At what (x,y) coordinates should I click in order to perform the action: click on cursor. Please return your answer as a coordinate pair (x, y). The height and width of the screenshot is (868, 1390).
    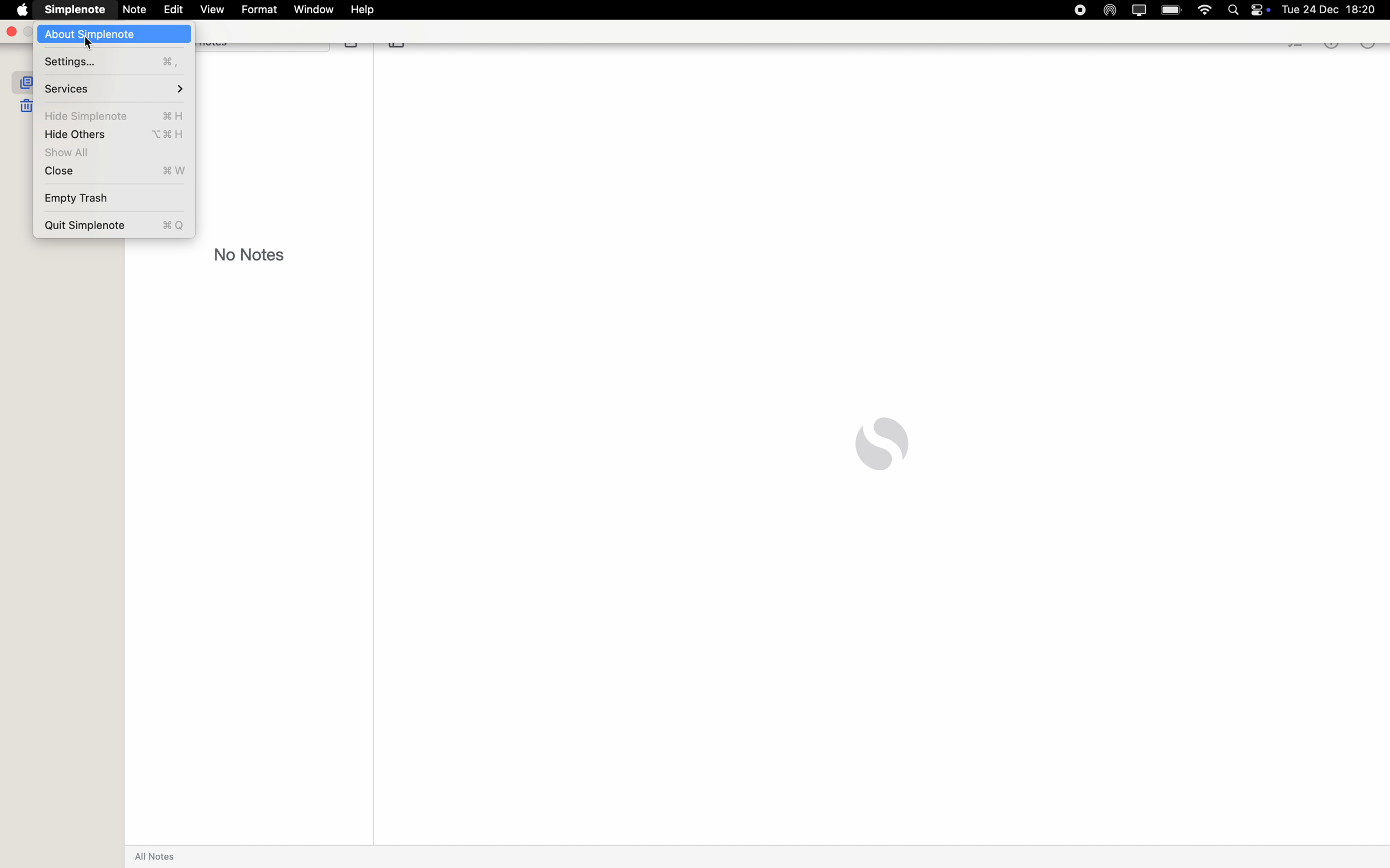
    Looking at the image, I should click on (85, 41).